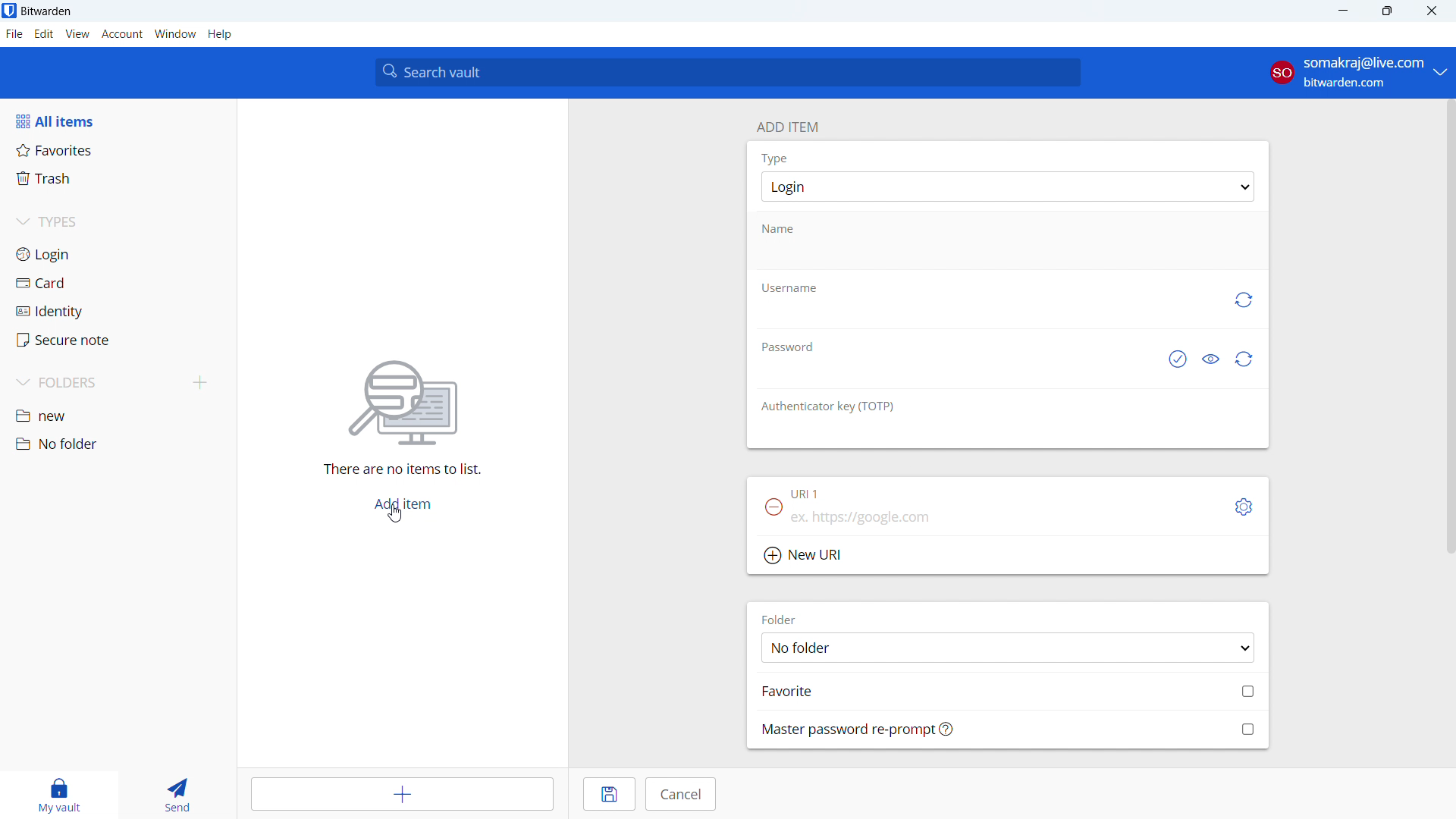  Describe the element at coordinates (1245, 359) in the screenshot. I see `generate password` at that location.